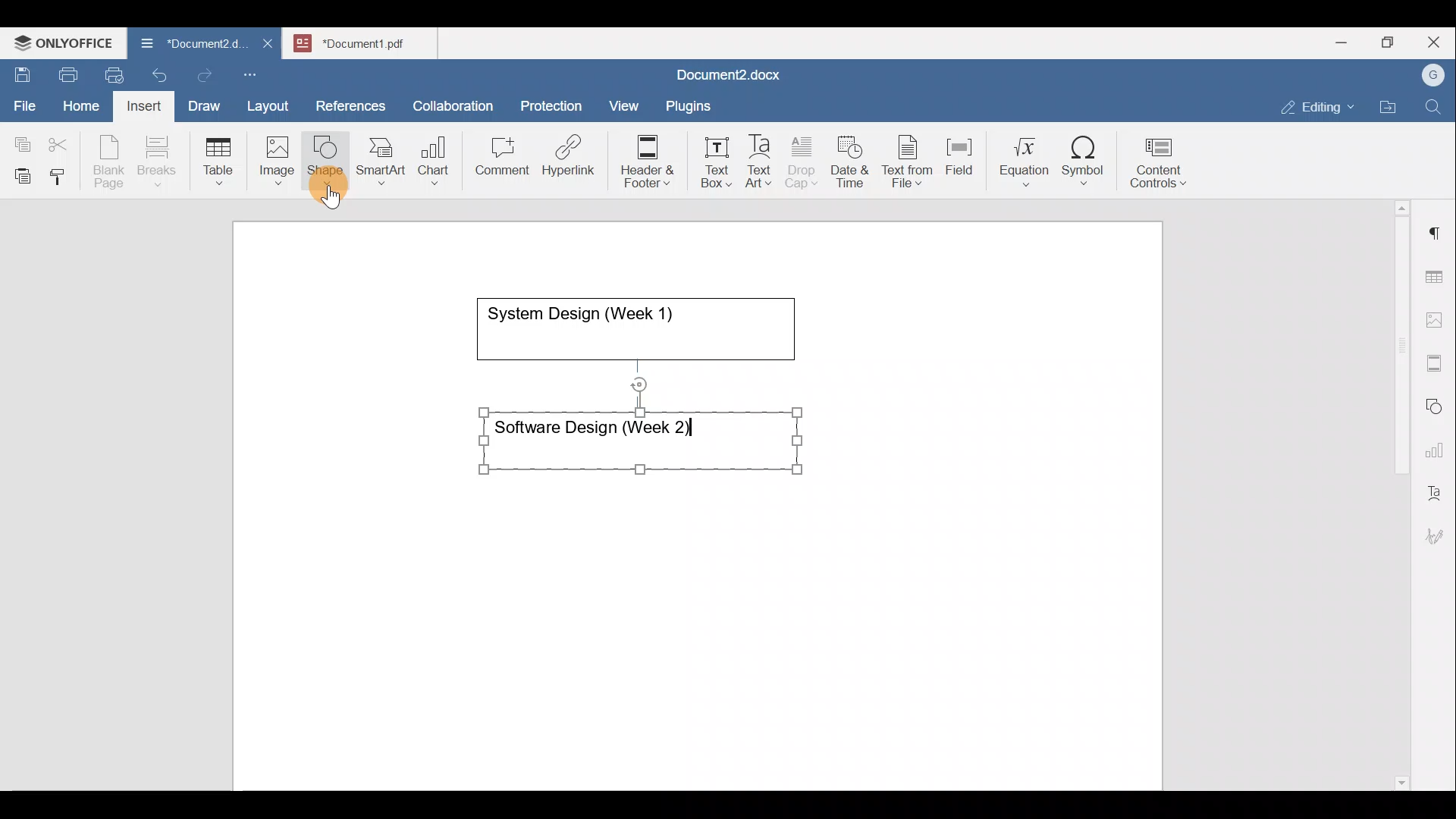 The height and width of the screenshot is (819, 1456). I want to click on Content controls, so click(1161, 168).